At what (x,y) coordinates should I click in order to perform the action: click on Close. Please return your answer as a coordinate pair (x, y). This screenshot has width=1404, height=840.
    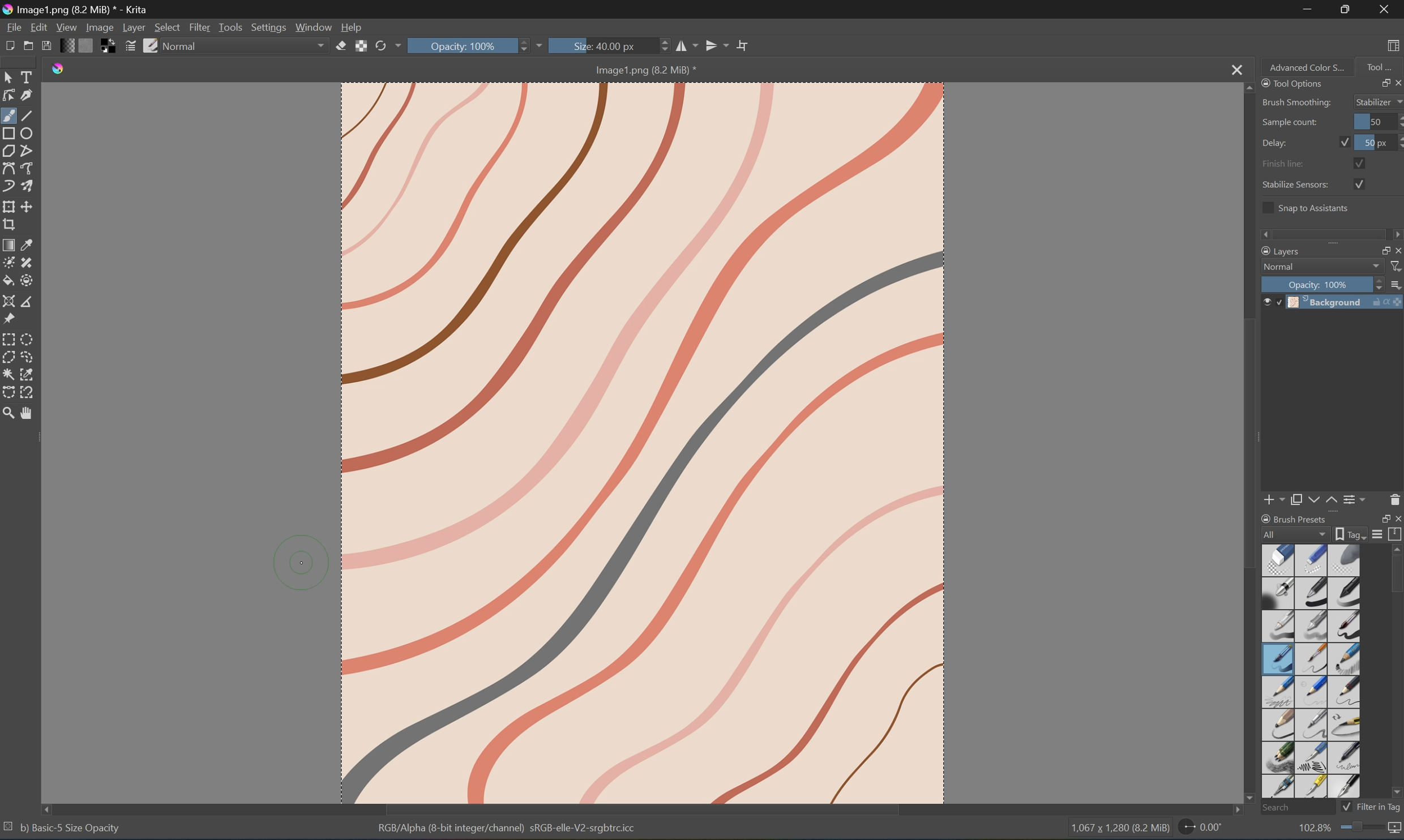
    Looking at the image, I should click on (1396, 250).